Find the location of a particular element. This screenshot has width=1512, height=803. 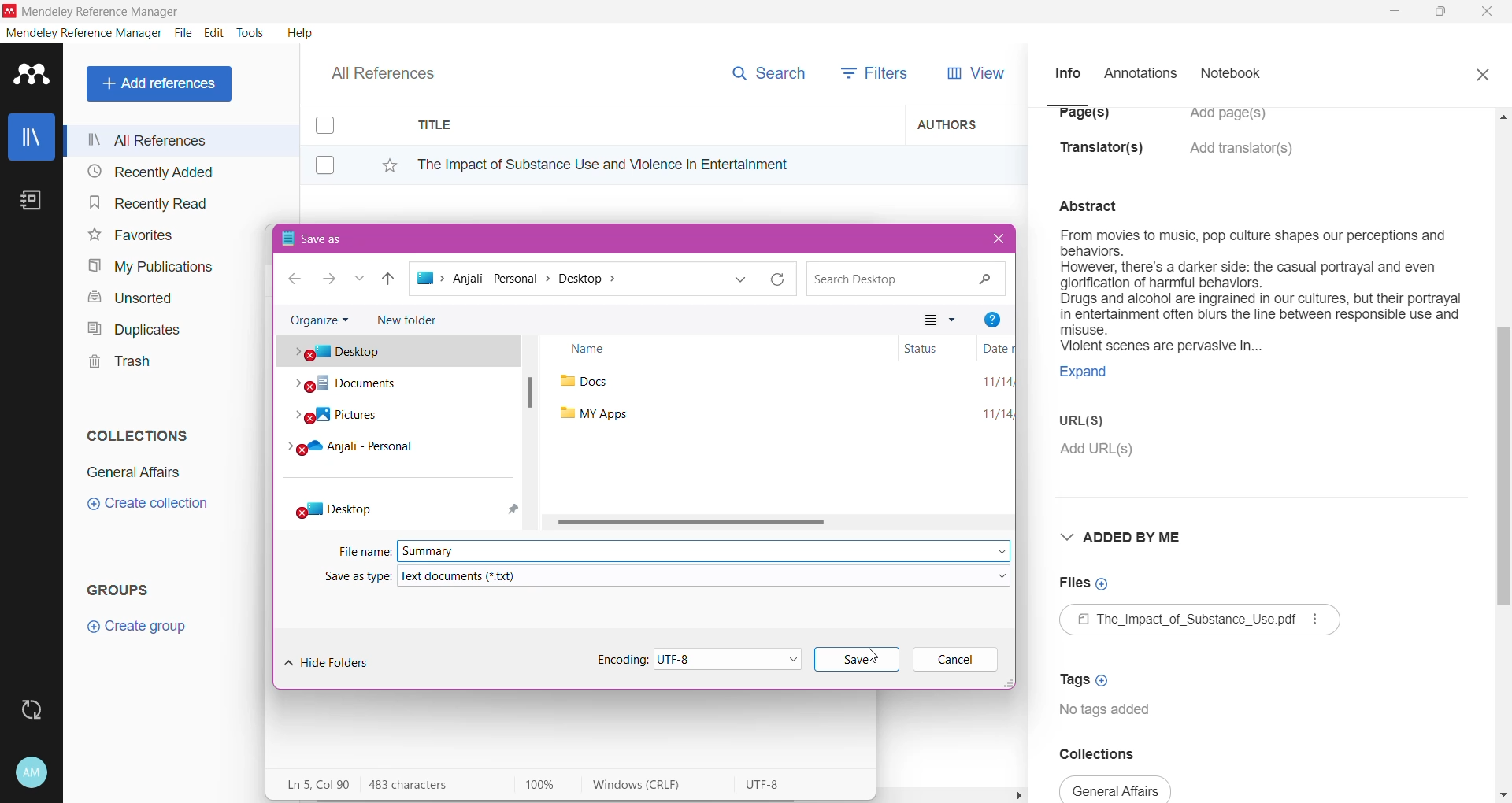

Collection Name is located at coordinates (131, 472).